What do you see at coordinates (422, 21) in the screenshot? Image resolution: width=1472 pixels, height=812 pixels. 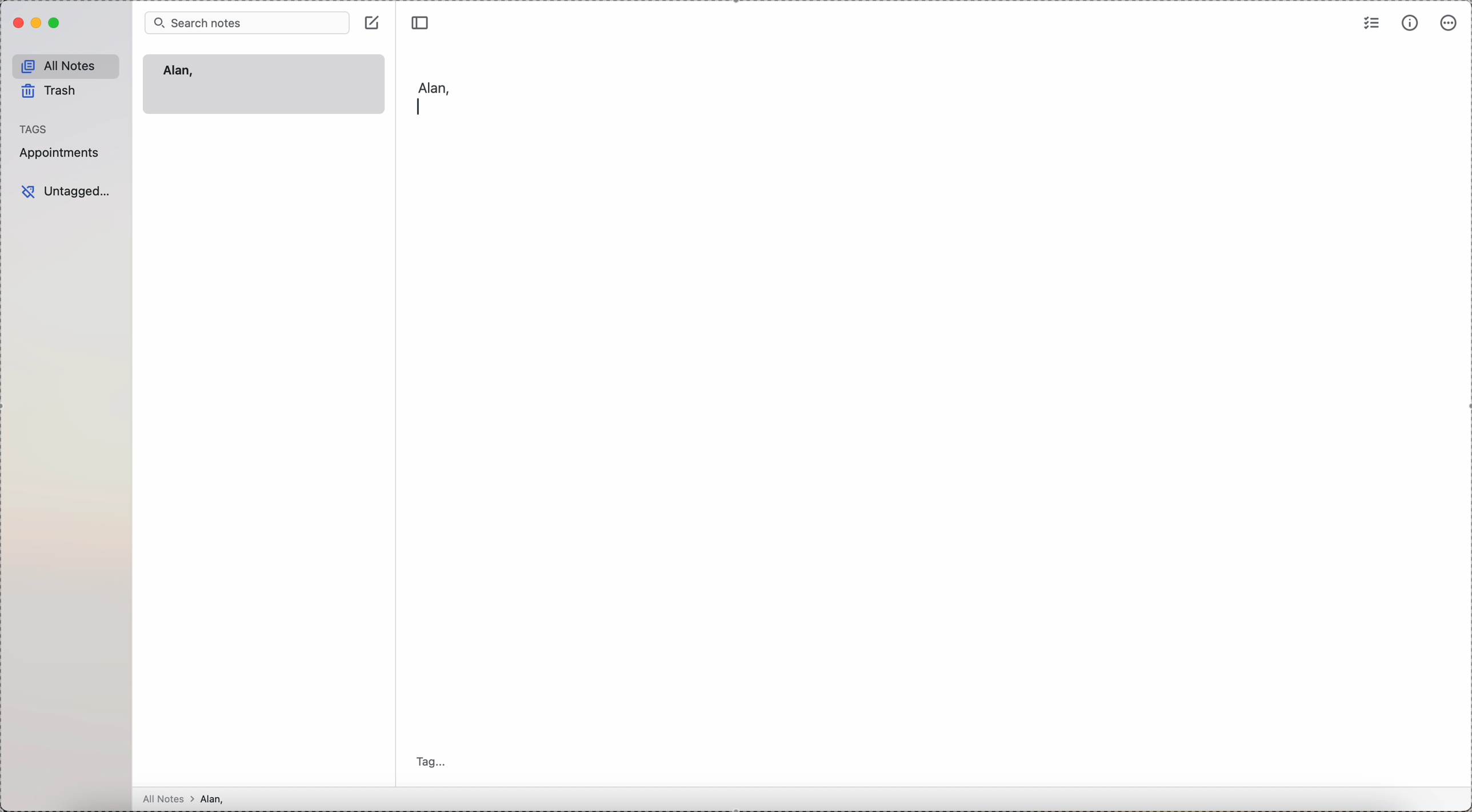 I see `toggle sidebar` at bounding box center [422, 21].